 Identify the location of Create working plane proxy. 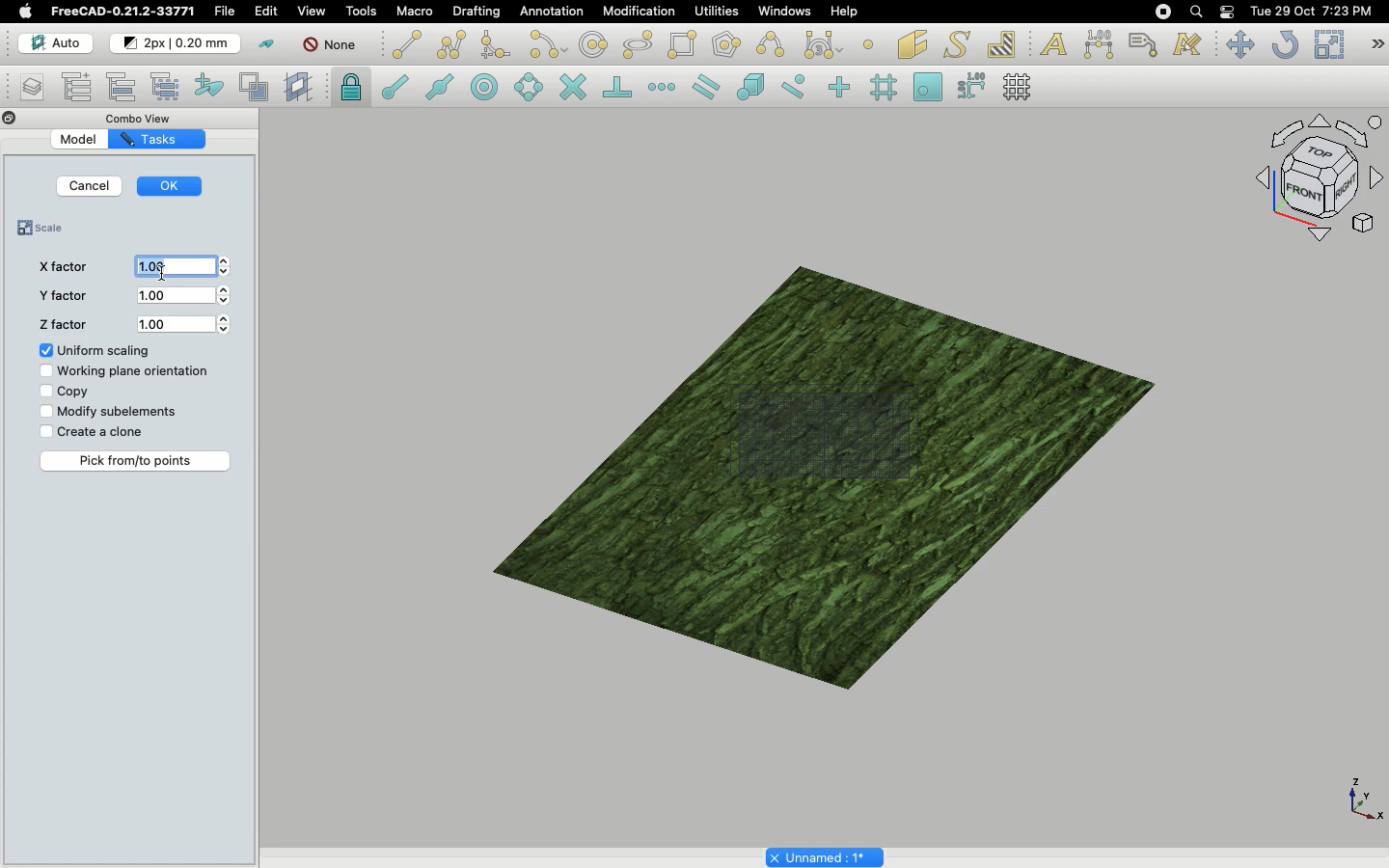
(301, 89).